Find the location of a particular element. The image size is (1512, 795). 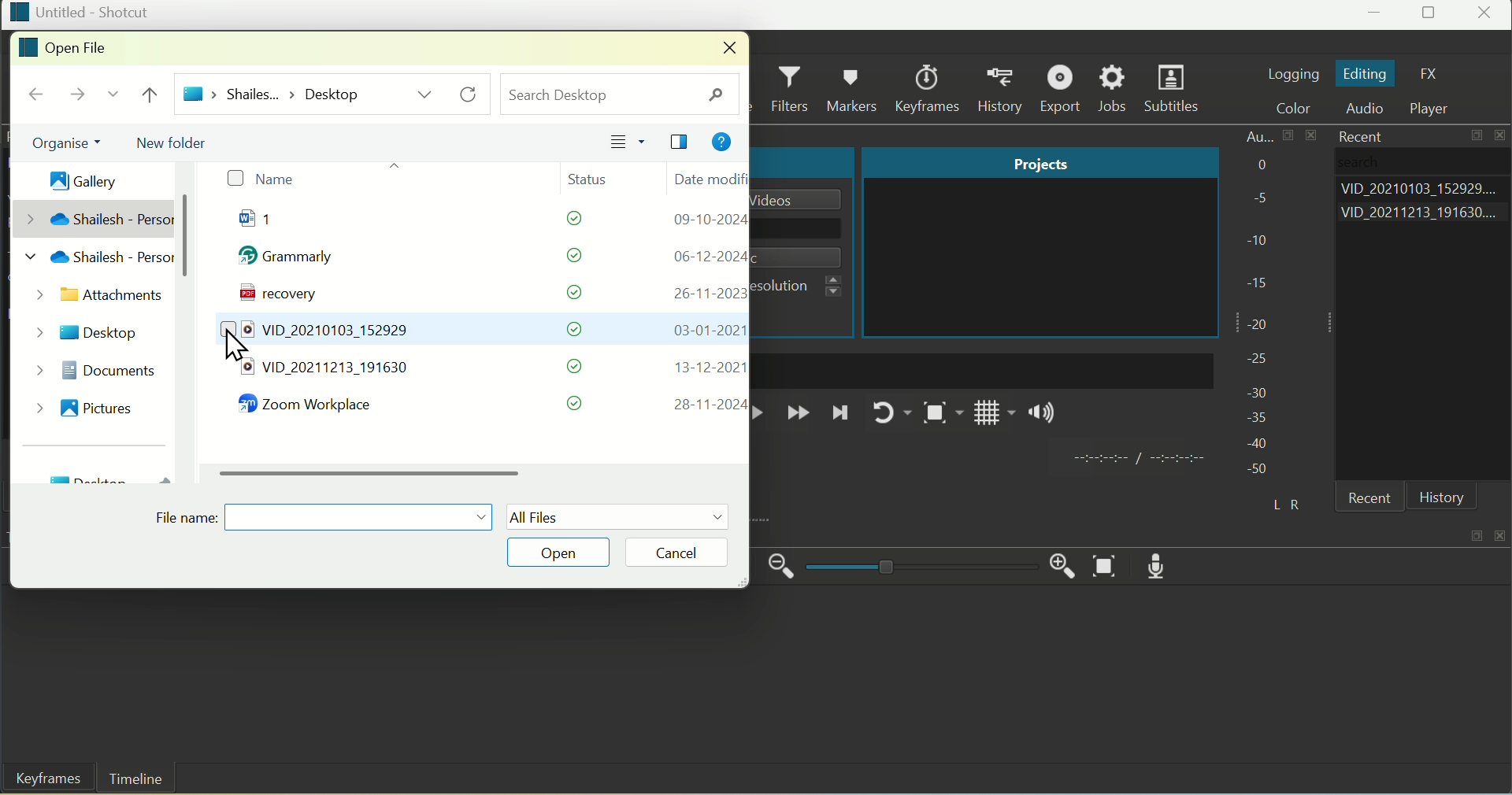

View as is located at coordinates (628, 142).